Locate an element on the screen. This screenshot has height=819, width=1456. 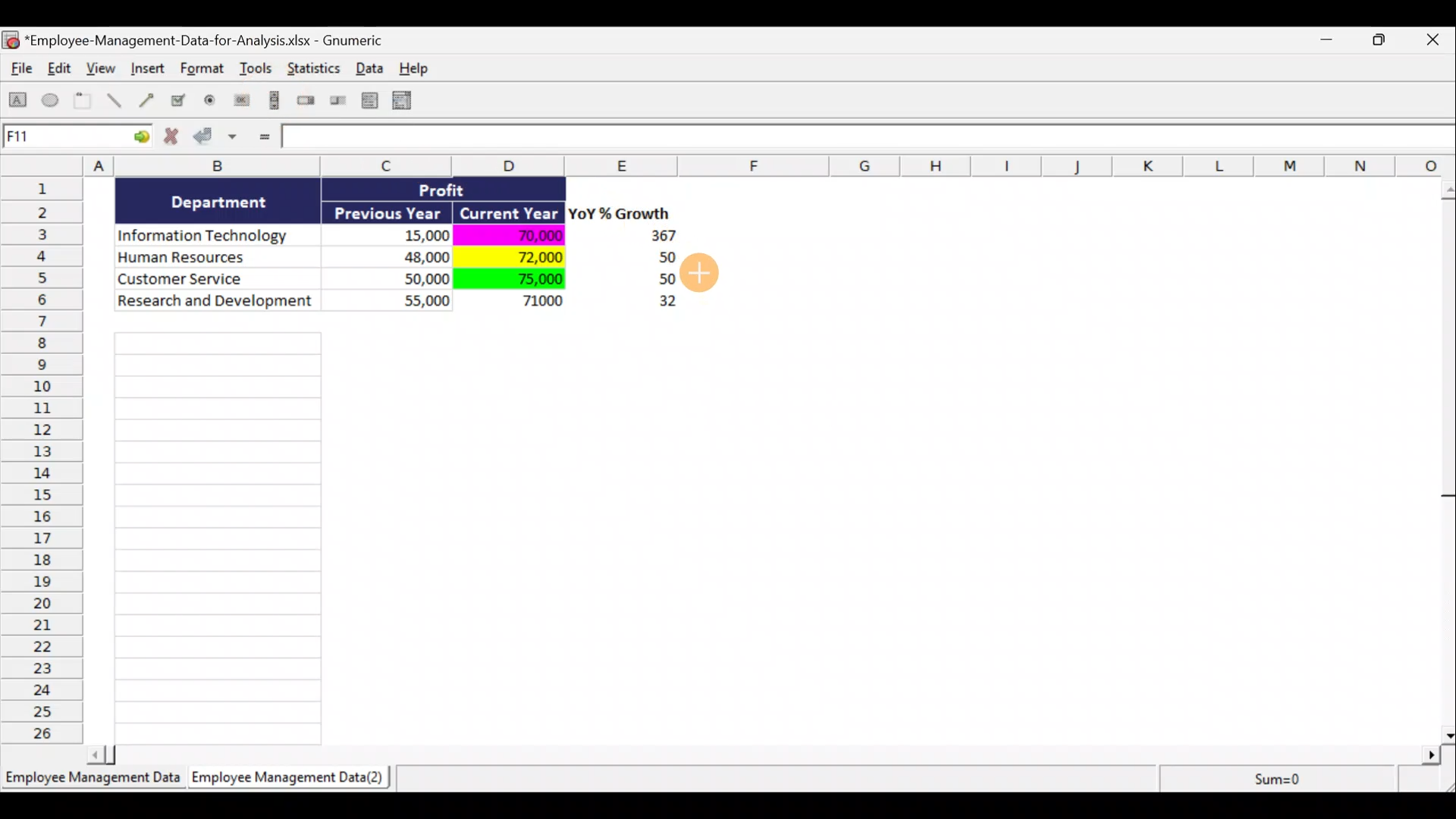
Create a list is located at coordinates (366, 100).